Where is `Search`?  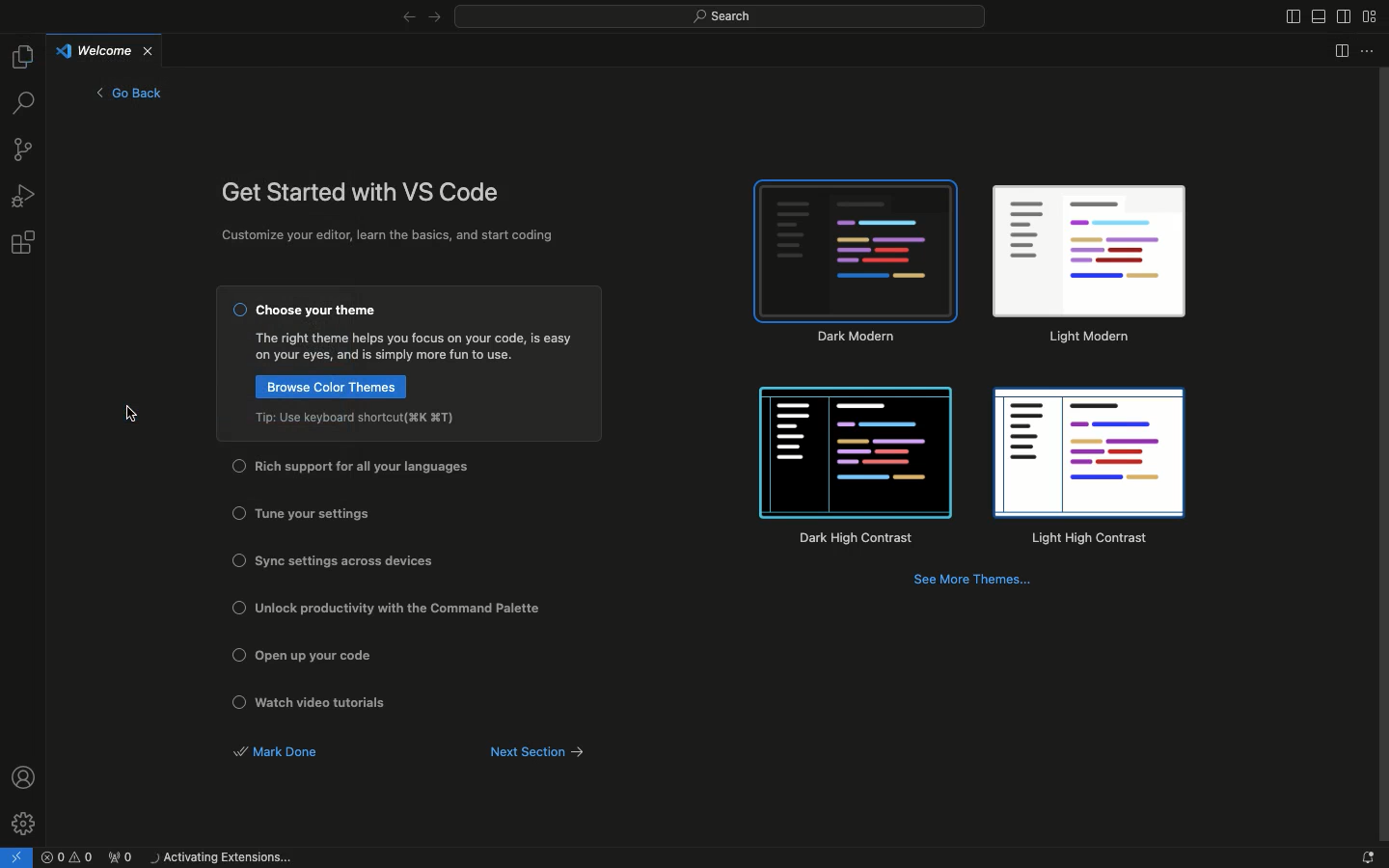 Search is located at coordinates (23, 104).